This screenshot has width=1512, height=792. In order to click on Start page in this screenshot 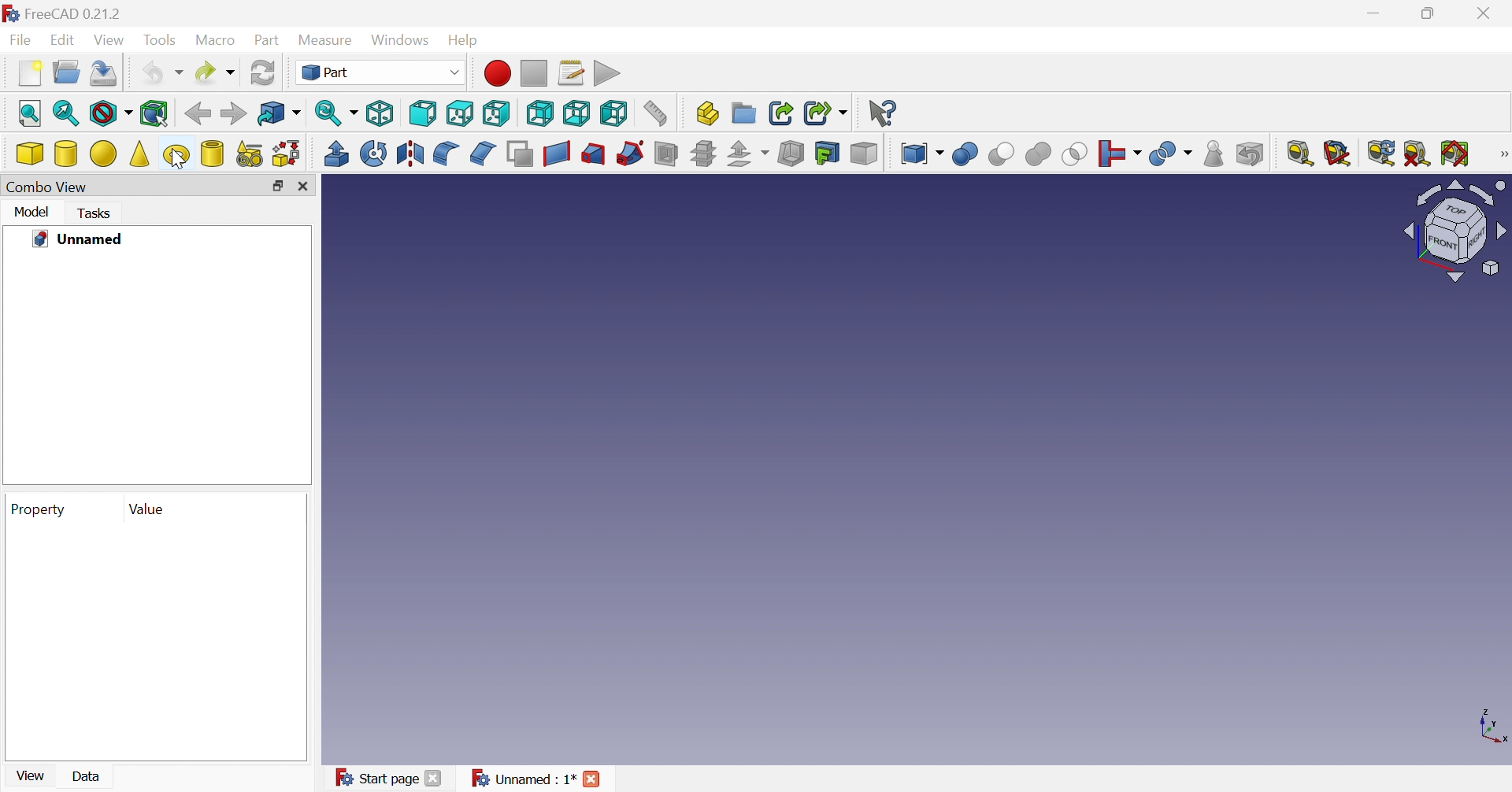, I will do `click(376, 777)`.